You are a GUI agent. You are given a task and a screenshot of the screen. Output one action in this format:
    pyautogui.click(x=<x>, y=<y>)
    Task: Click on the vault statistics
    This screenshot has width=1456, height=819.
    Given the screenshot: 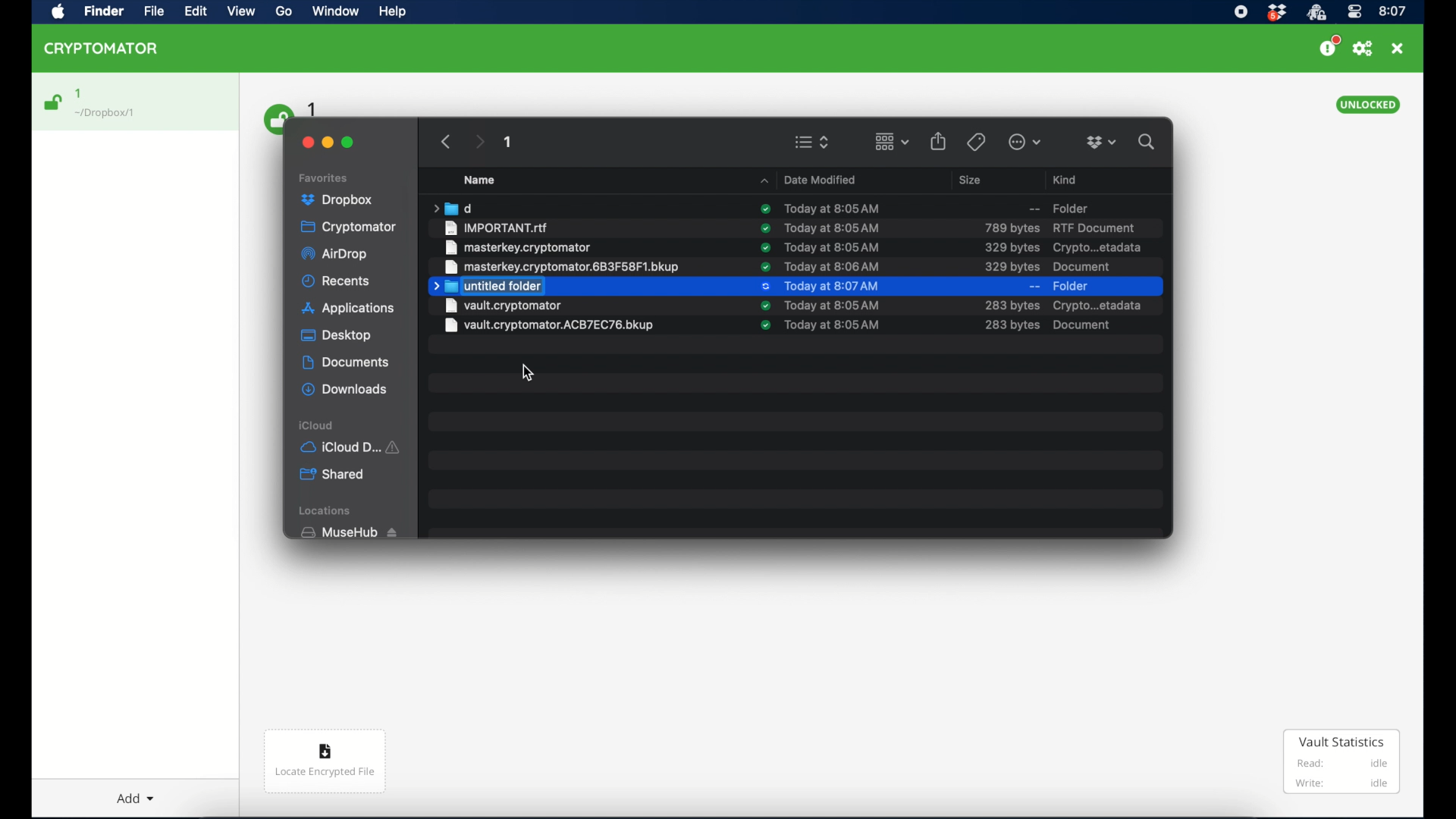 What is the action you would take?
    pyautogui.click(x=1341, y=763)
    